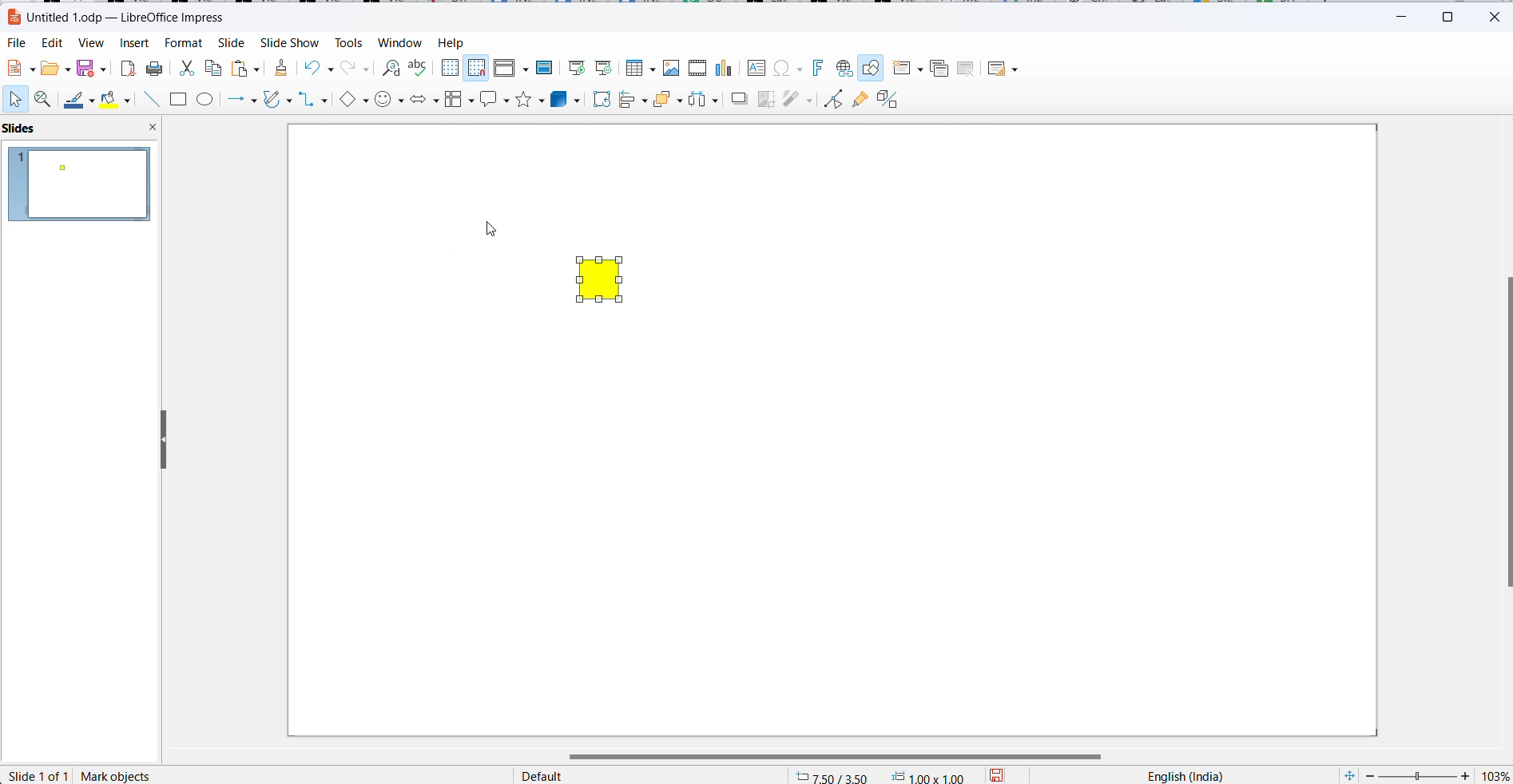  What do you see at coordinates (356, 69) in the screenshot?
I see `redo` at bounding box center [356, 69].